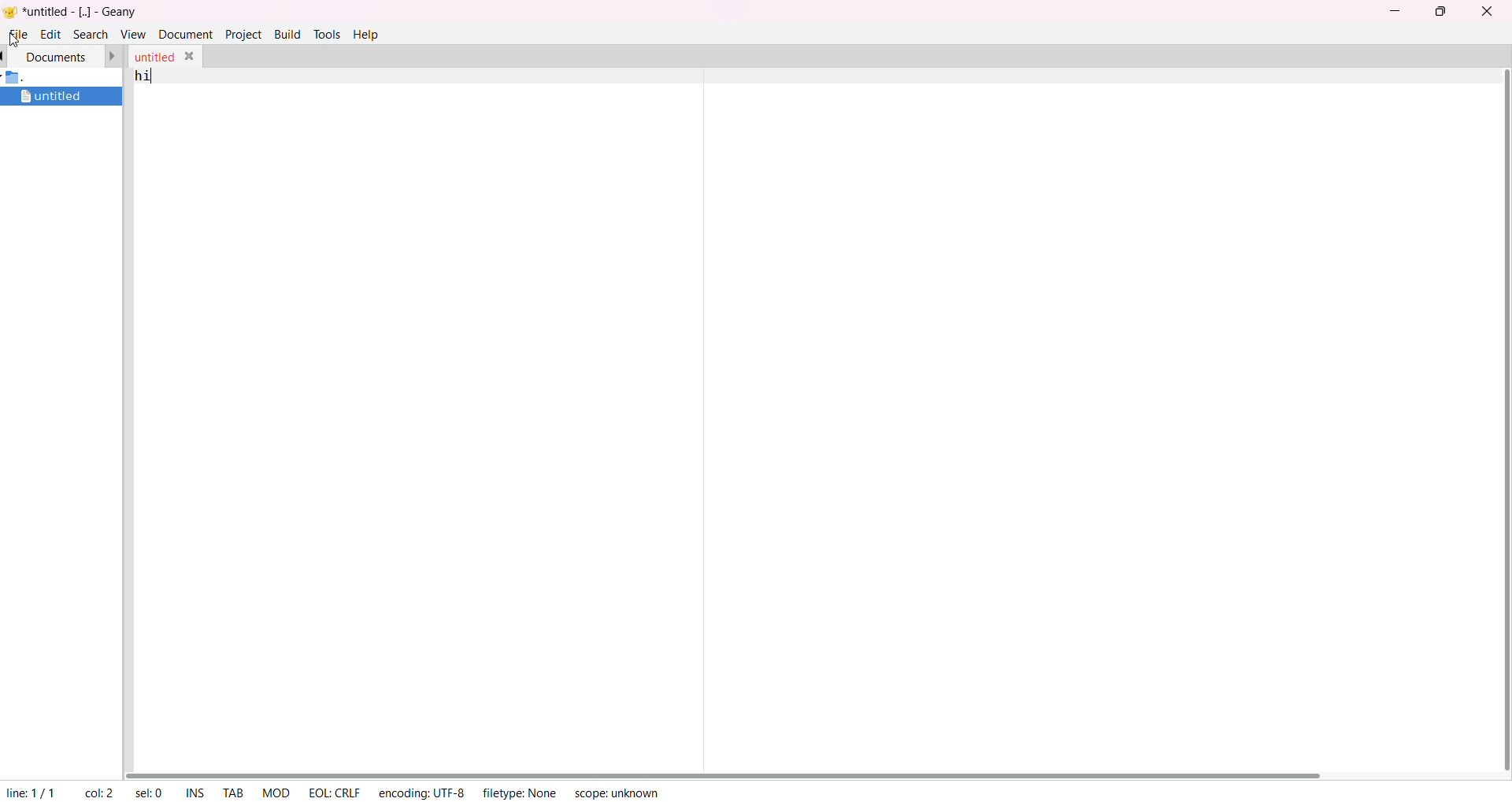 Image resolution: width=1512 pixels, height=802 pixels. Describe the element at coordinates (65, 440) in the screenshot. I see `project manager` at that location.